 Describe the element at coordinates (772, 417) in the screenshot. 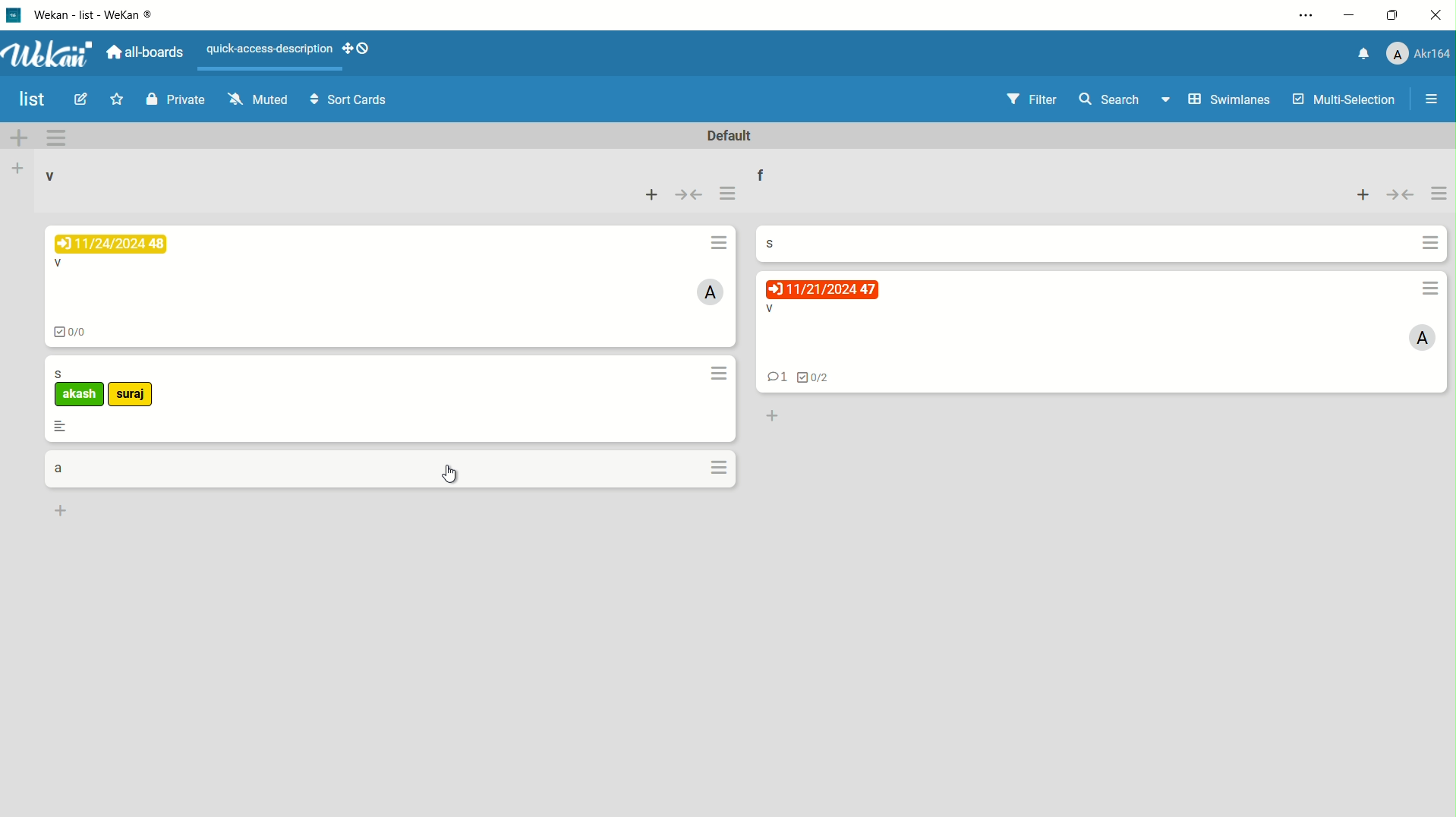

I see `add card bottom` at that location.